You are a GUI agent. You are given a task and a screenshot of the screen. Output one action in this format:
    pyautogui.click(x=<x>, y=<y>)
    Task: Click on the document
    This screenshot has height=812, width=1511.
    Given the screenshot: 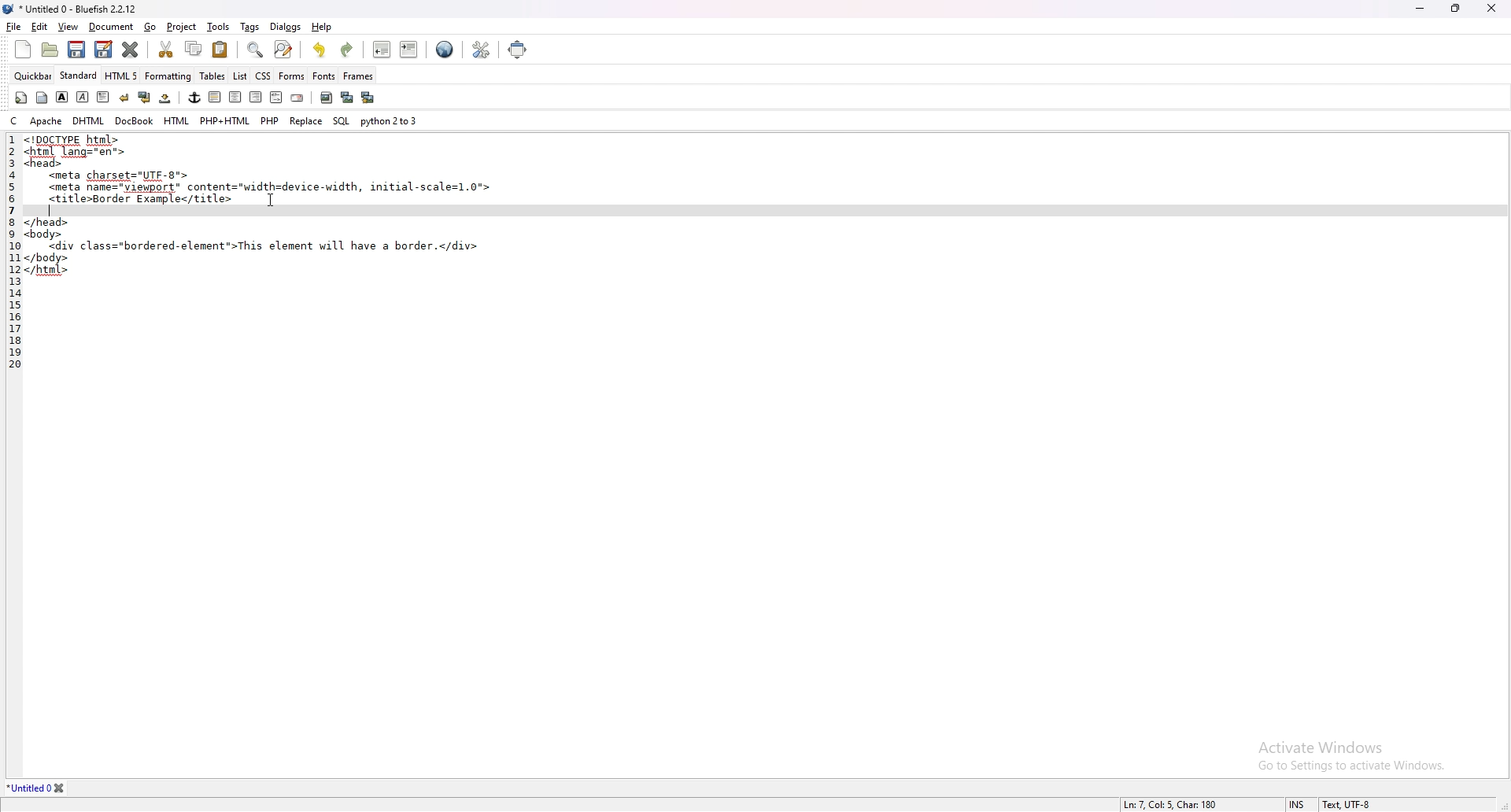 What is the action you would take?
    pyautogui.click(x=111, y=28)
    